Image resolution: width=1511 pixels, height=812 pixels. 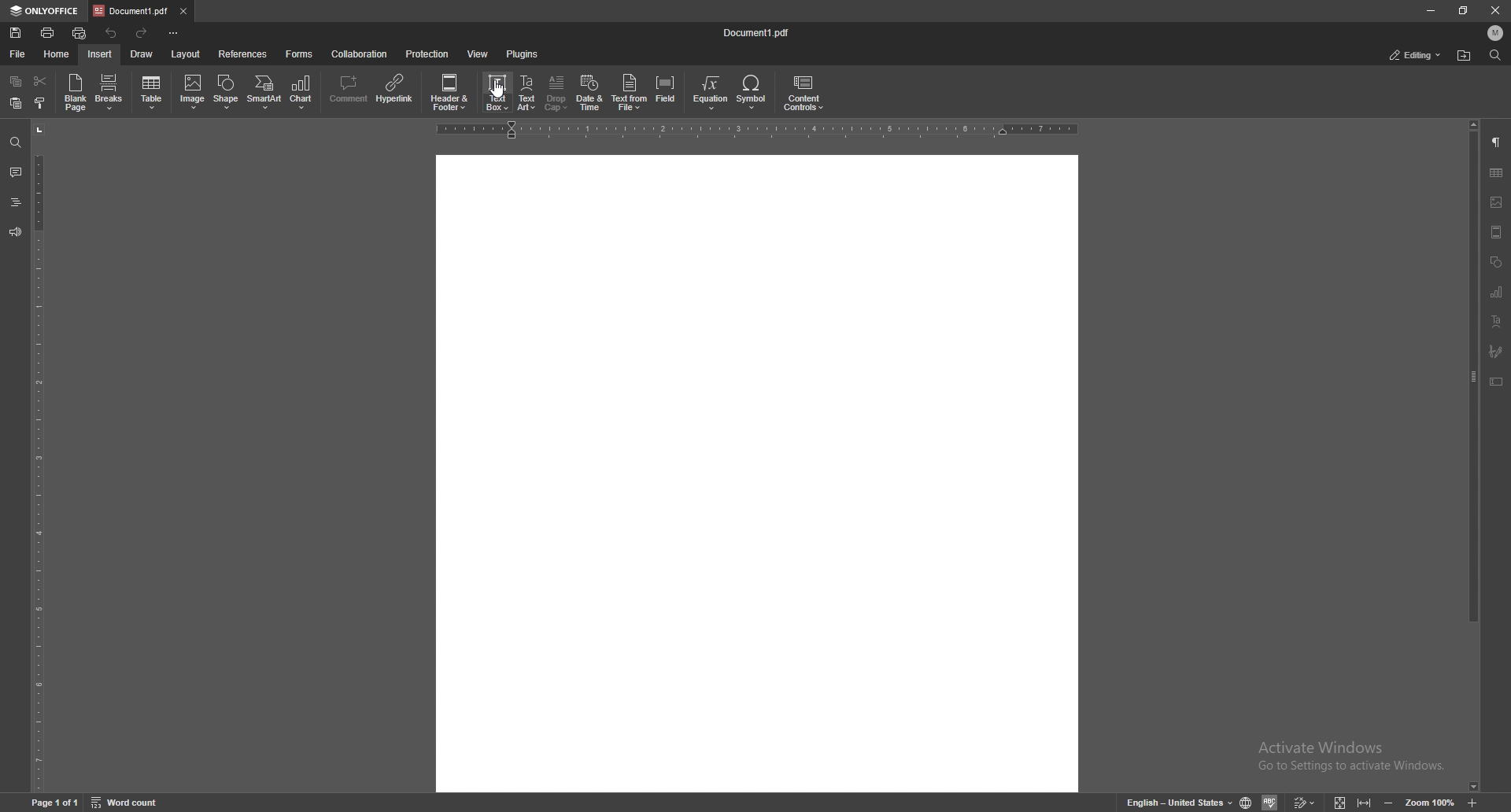 What do you see at coordinates (527, 92) in the screenshot?
I see `text art` at bounding box center [527, 92].